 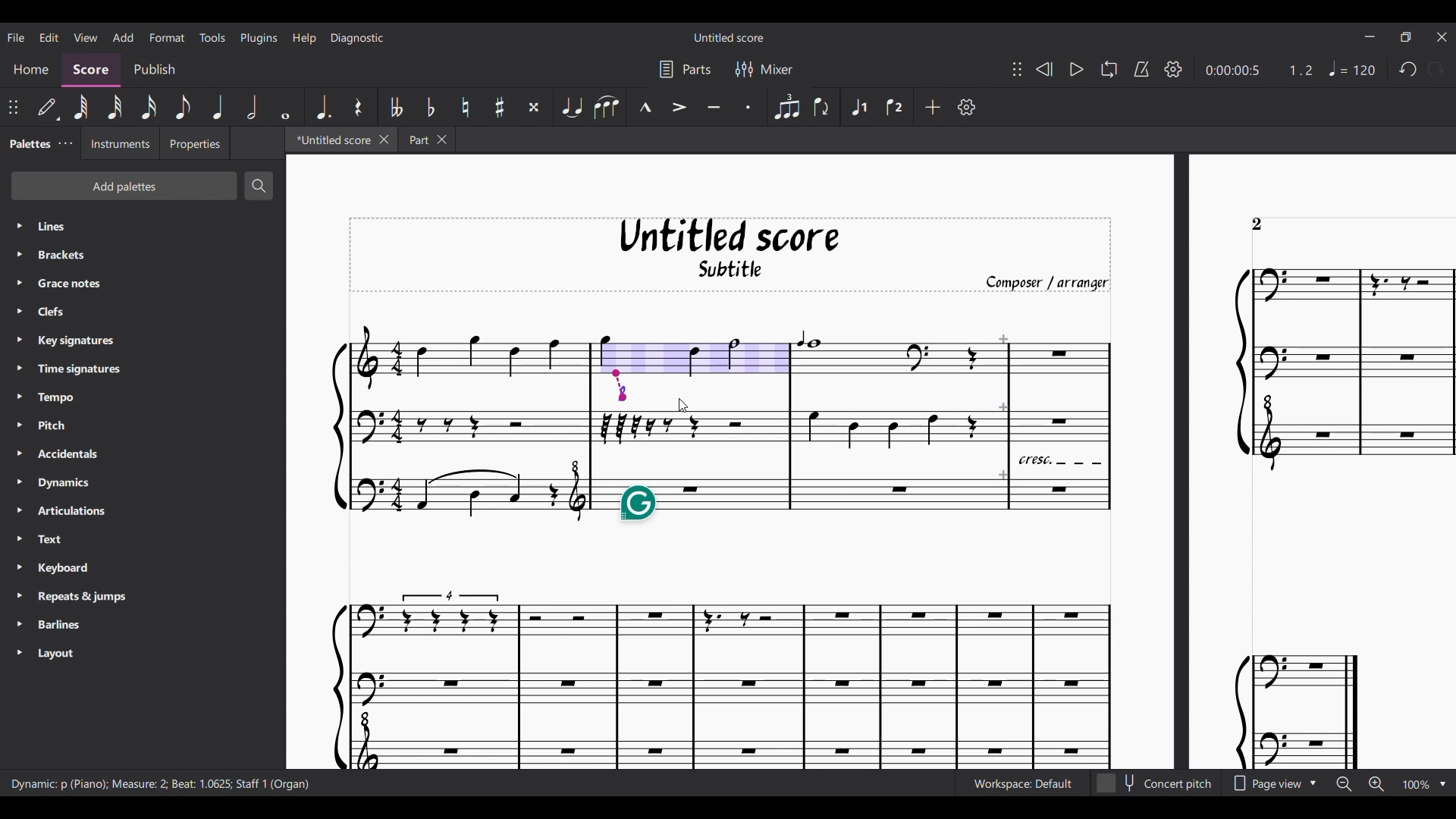 I want to click on Zoom out, so click(x=1345, y=785).